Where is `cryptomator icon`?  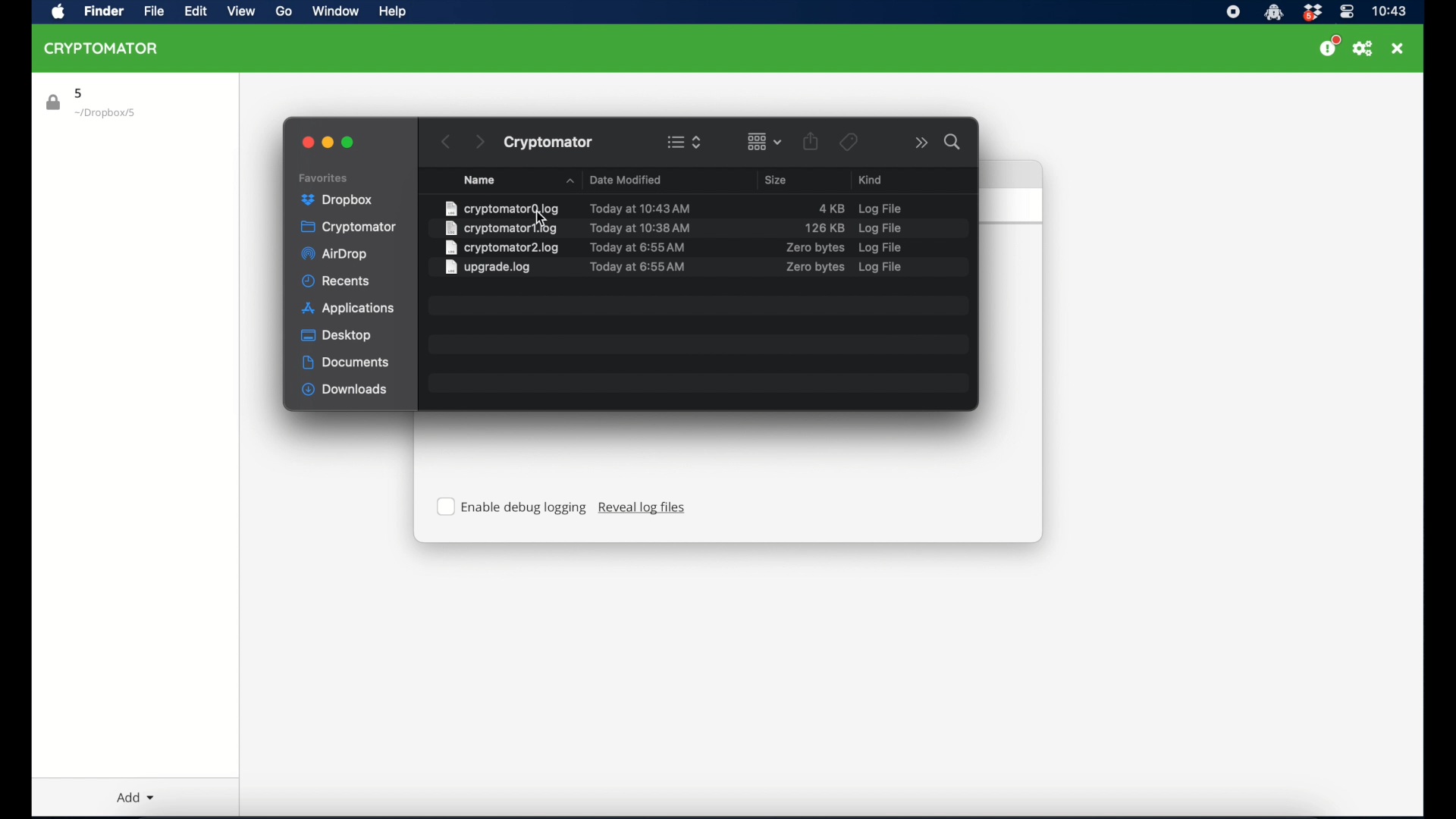
cryptomator icon is located at coordinates (1273, 13).